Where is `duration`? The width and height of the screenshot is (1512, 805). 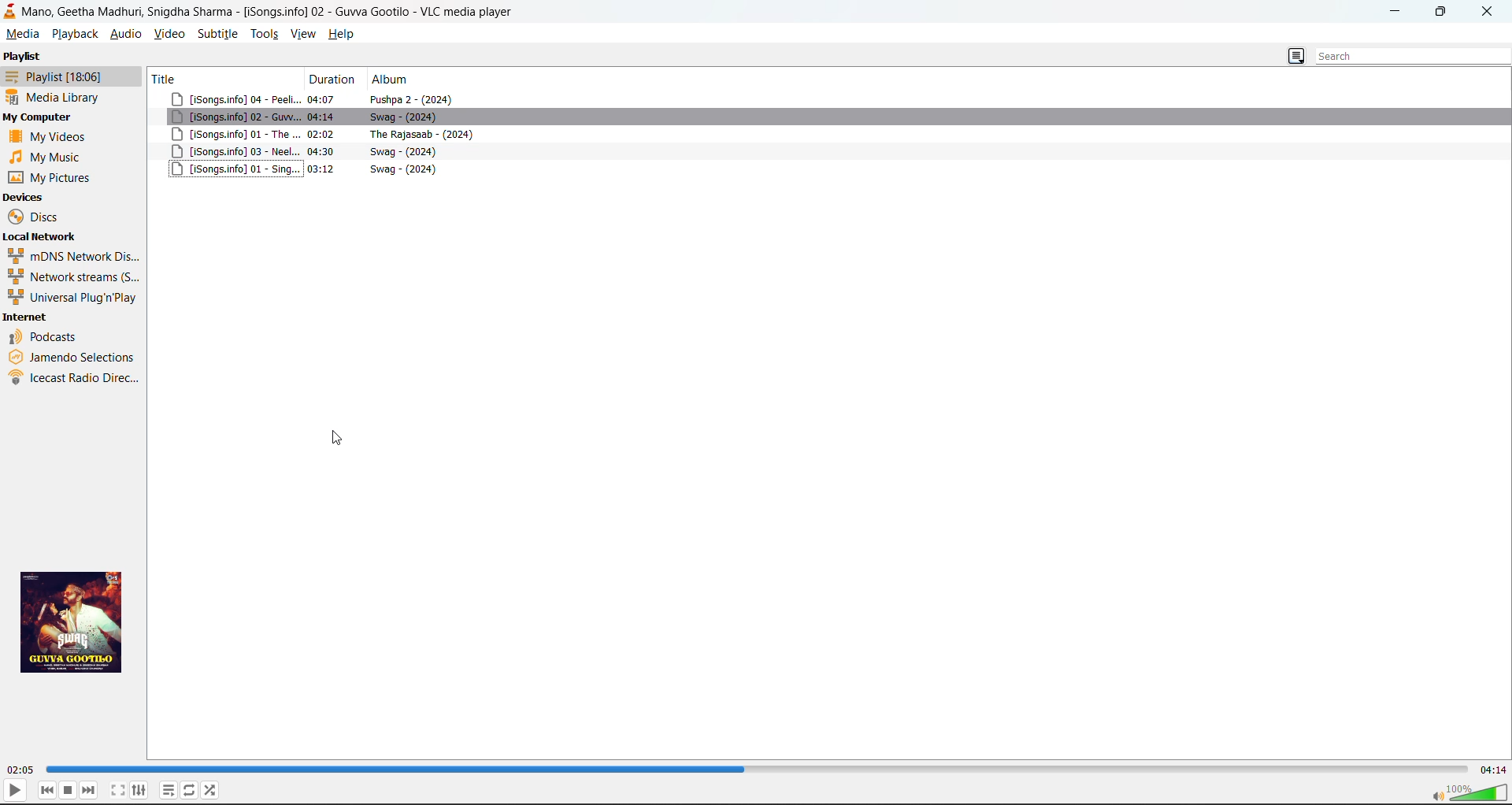 duration is located at coordinates (334, 80).